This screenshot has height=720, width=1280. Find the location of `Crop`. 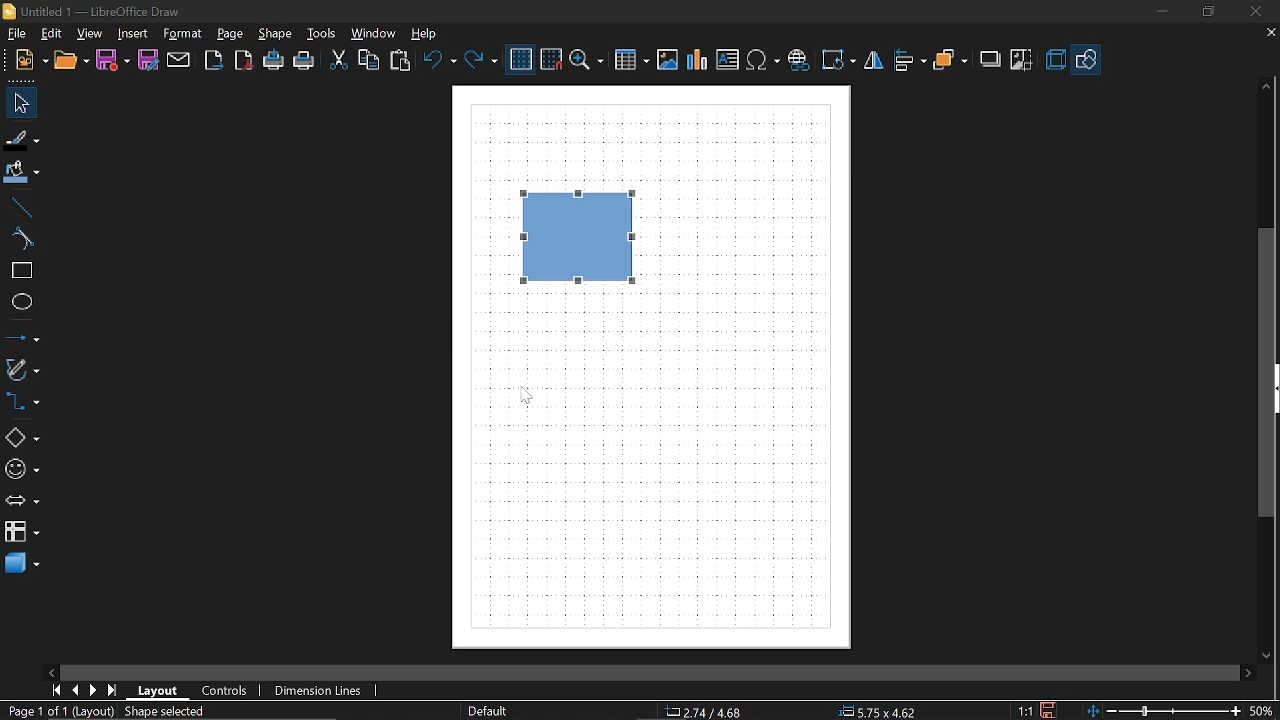

Crop is located at coordinates (1022, 61).